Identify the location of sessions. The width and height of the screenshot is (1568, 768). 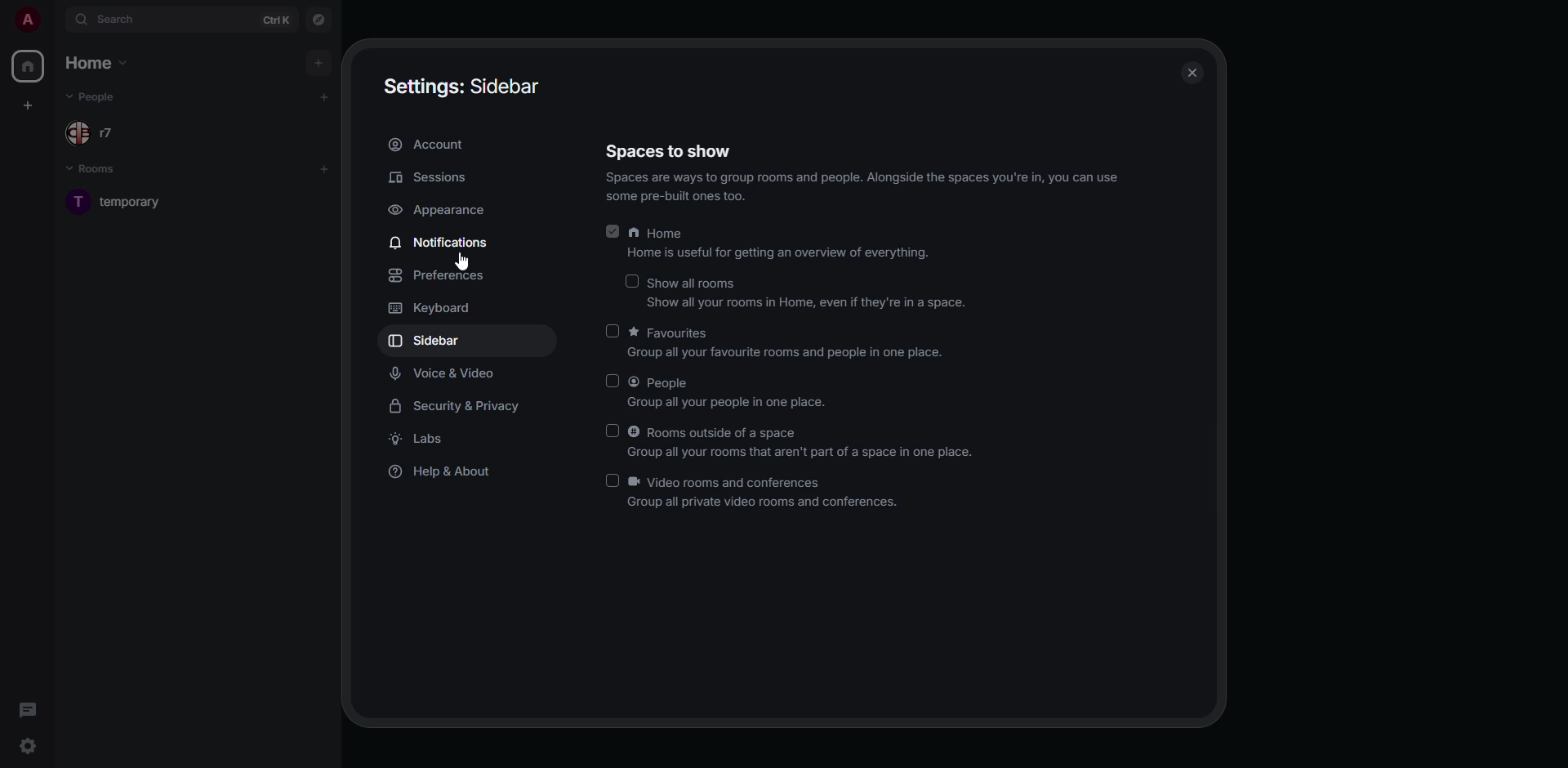
(430, 178).